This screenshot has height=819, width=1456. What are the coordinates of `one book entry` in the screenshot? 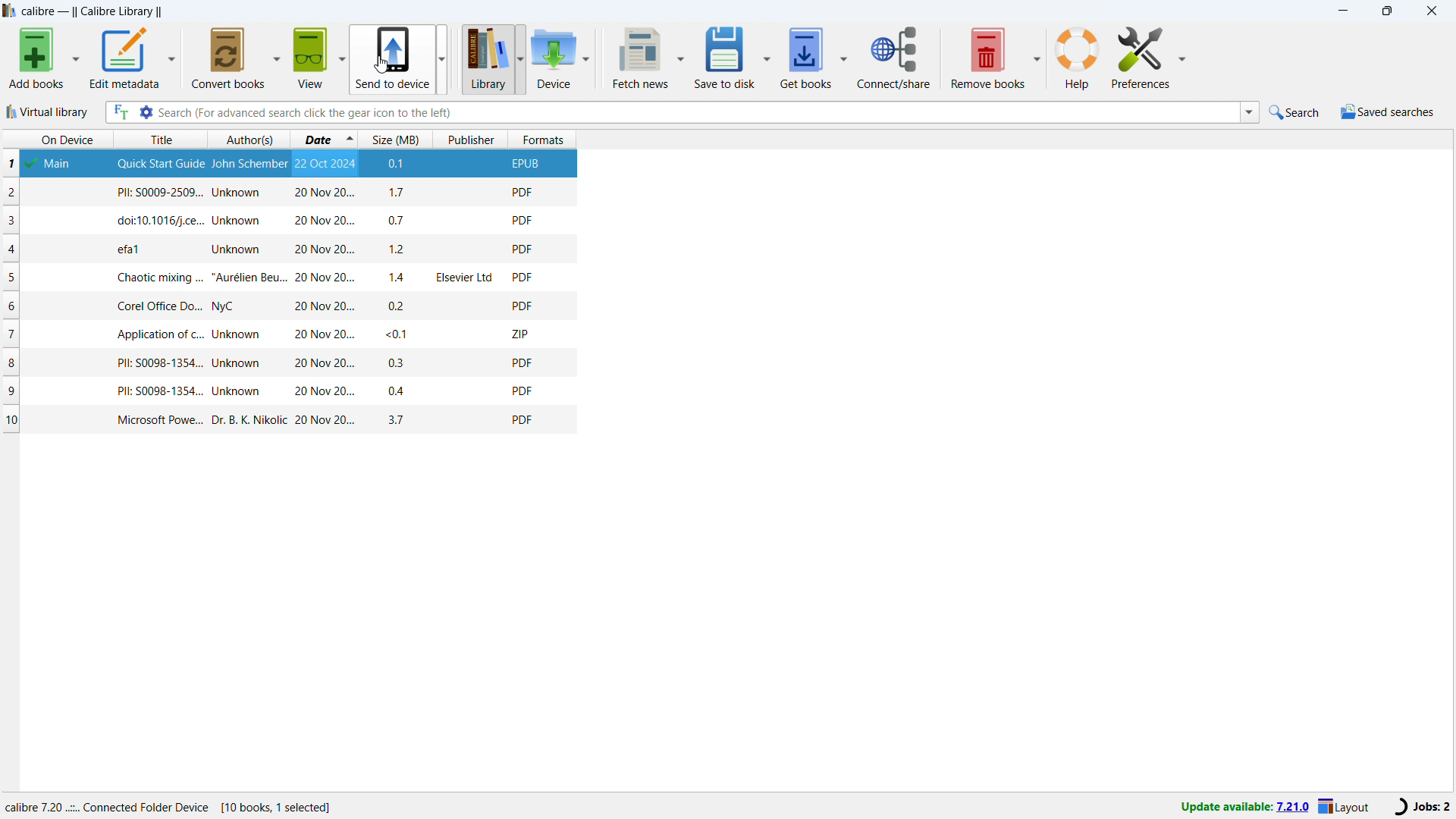 It's located at (284, 221).